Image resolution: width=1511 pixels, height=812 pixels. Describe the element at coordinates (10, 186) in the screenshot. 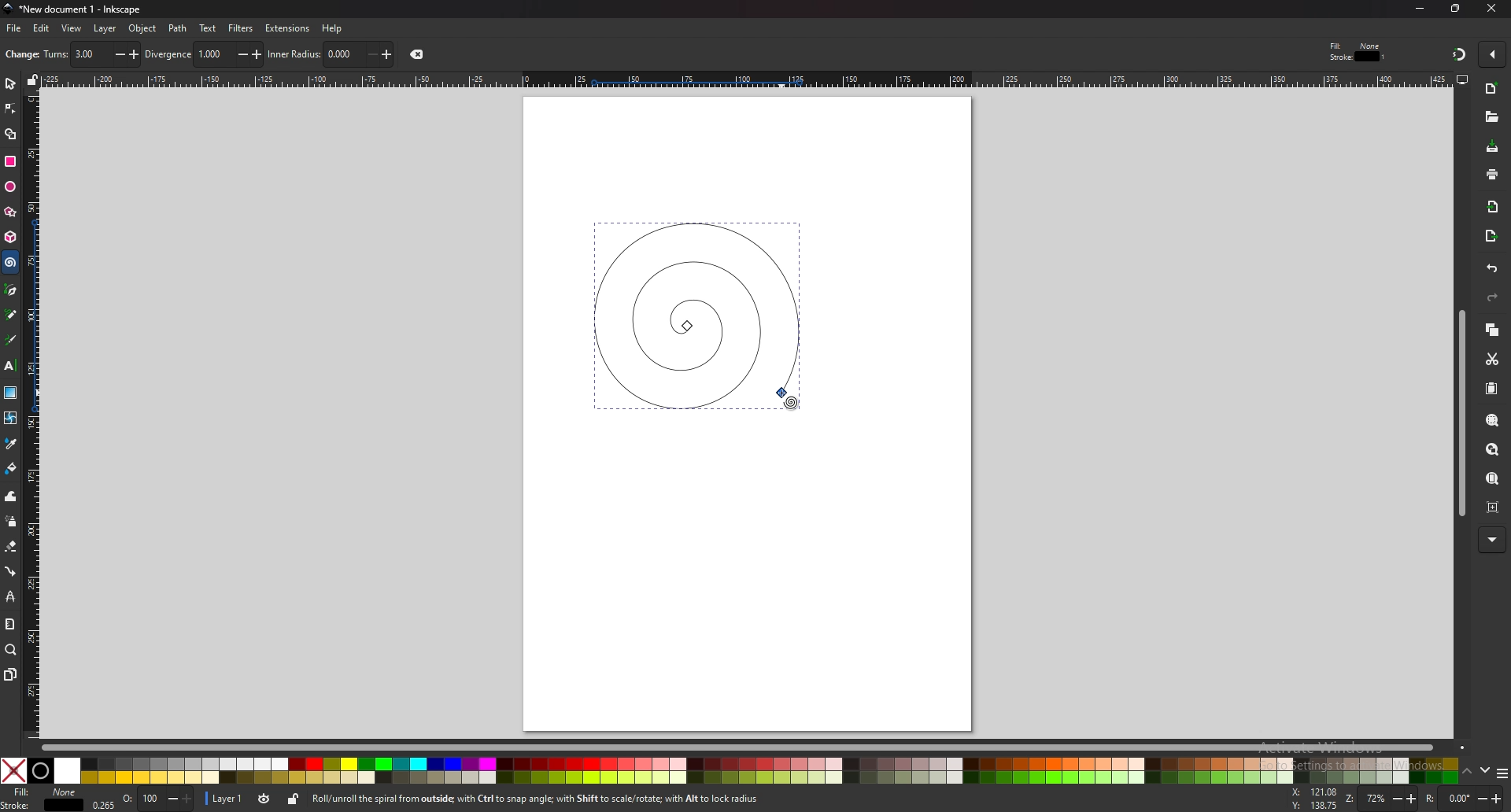

I see `ellipse` at that location.